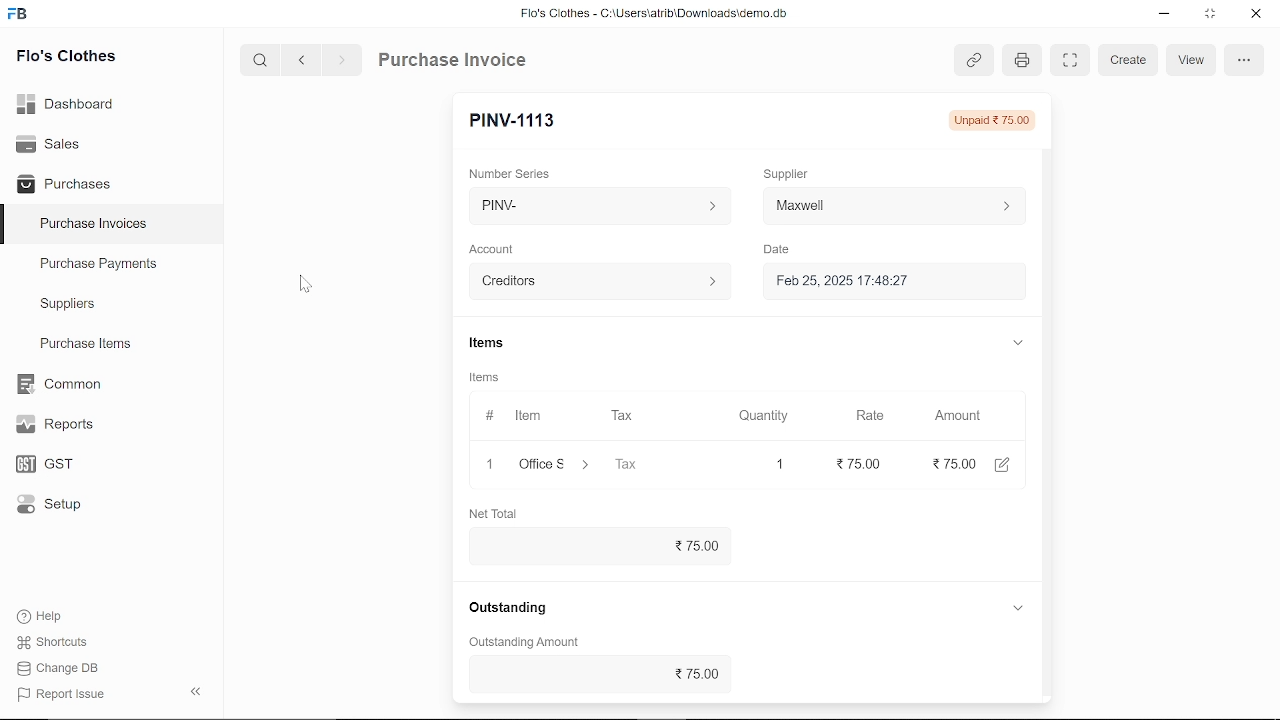 The height and width of the screenshot is (720, 1280). What do you see at coordinates (342, 63) in the screenshot?
I see `next` at bounding box center [342, 63].